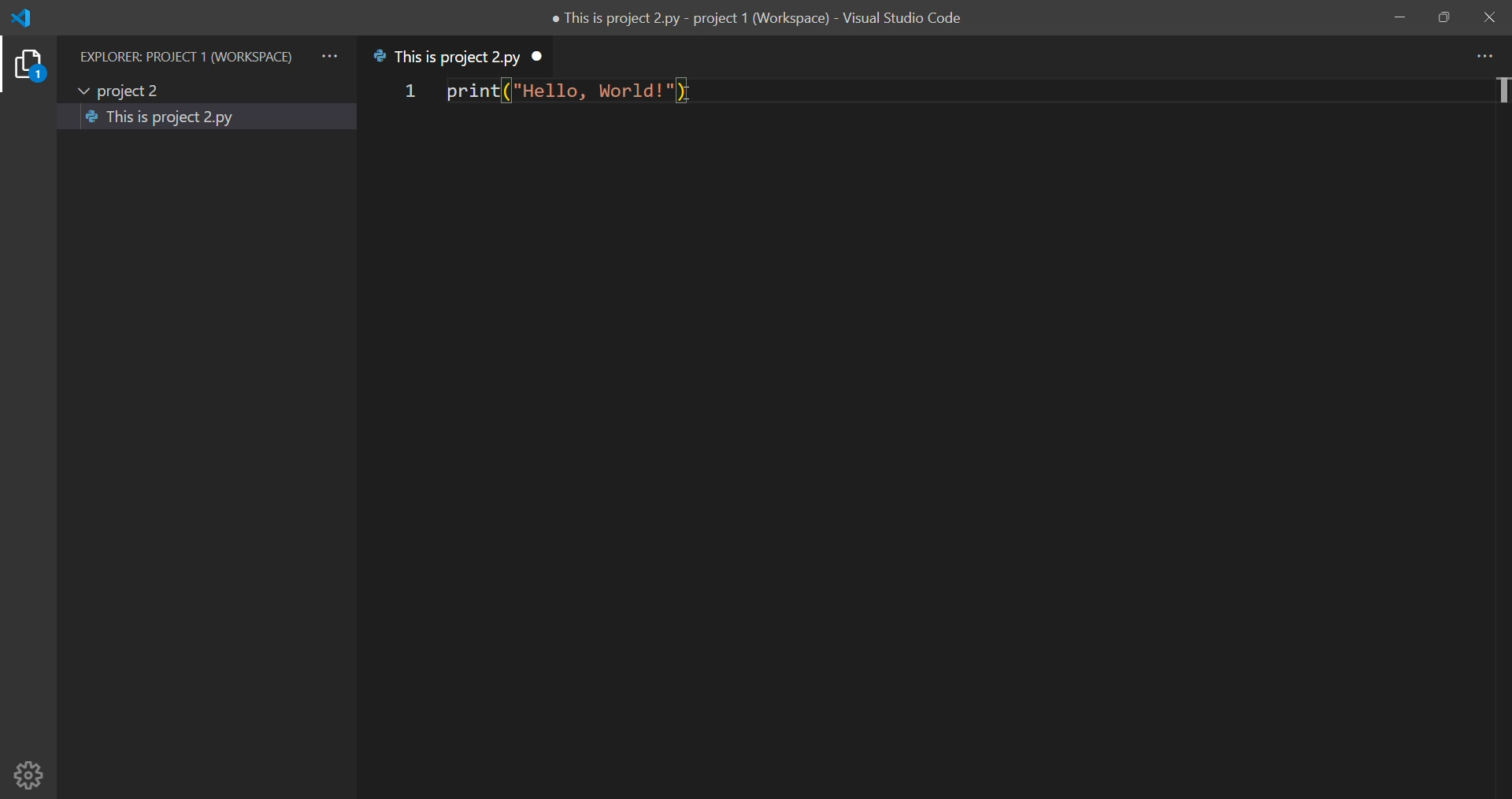 The image size is (1512, 799). I want to click on close file, so click(542, 56).